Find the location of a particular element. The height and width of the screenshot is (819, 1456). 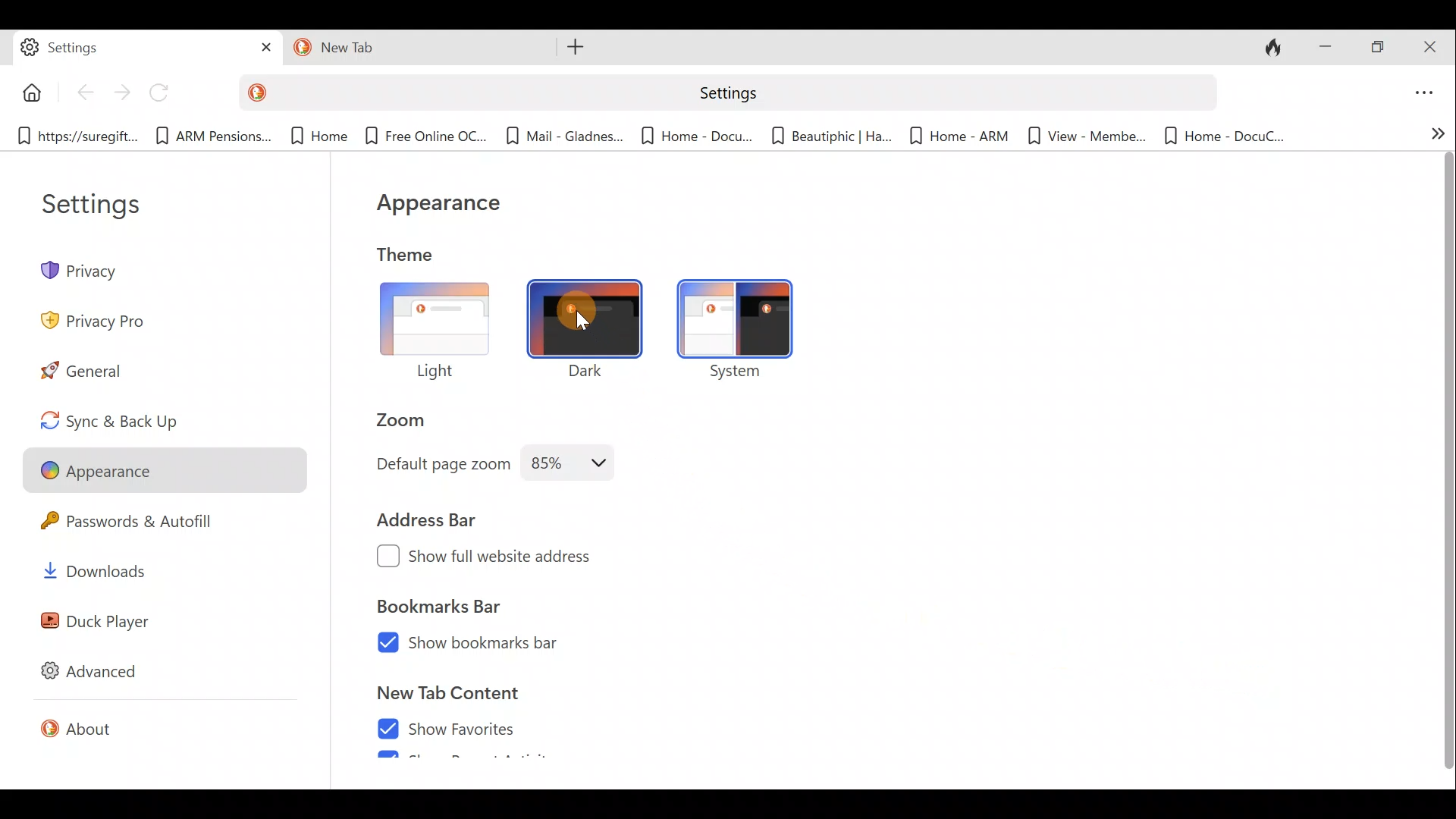

Bookmark 6 is located at coordinates (697, 134).